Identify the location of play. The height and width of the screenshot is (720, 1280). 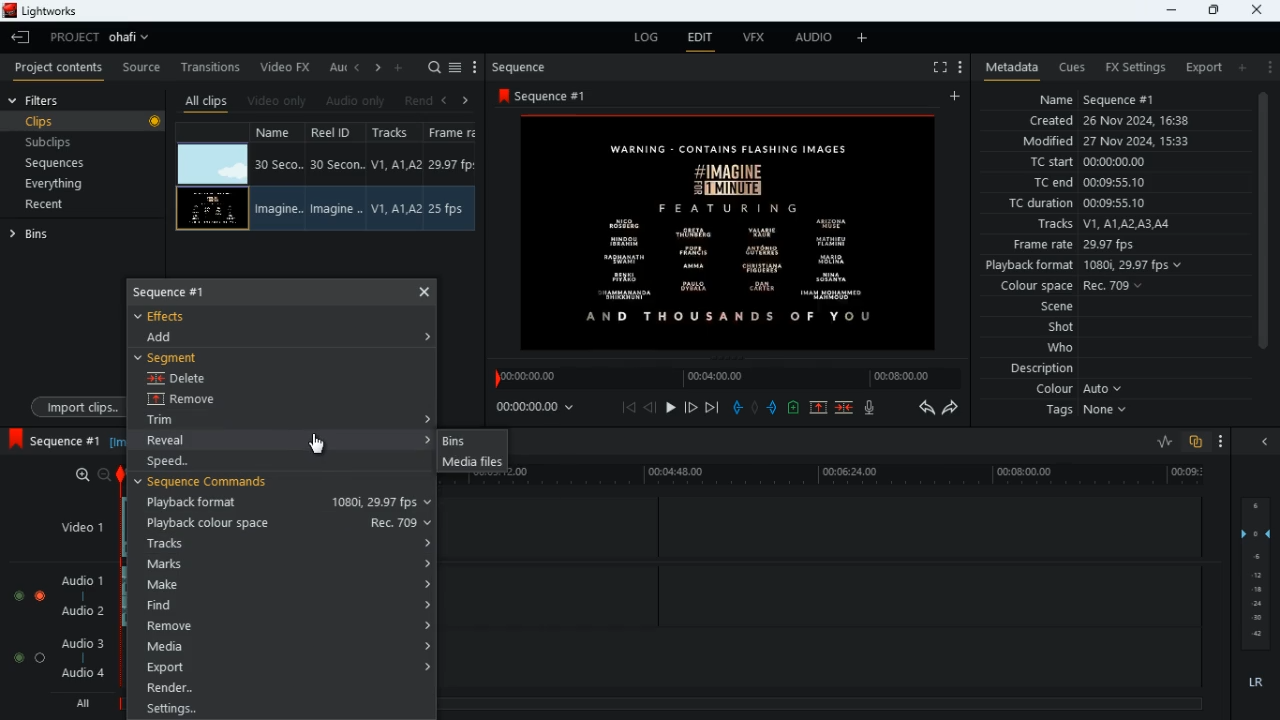
(672, 406).